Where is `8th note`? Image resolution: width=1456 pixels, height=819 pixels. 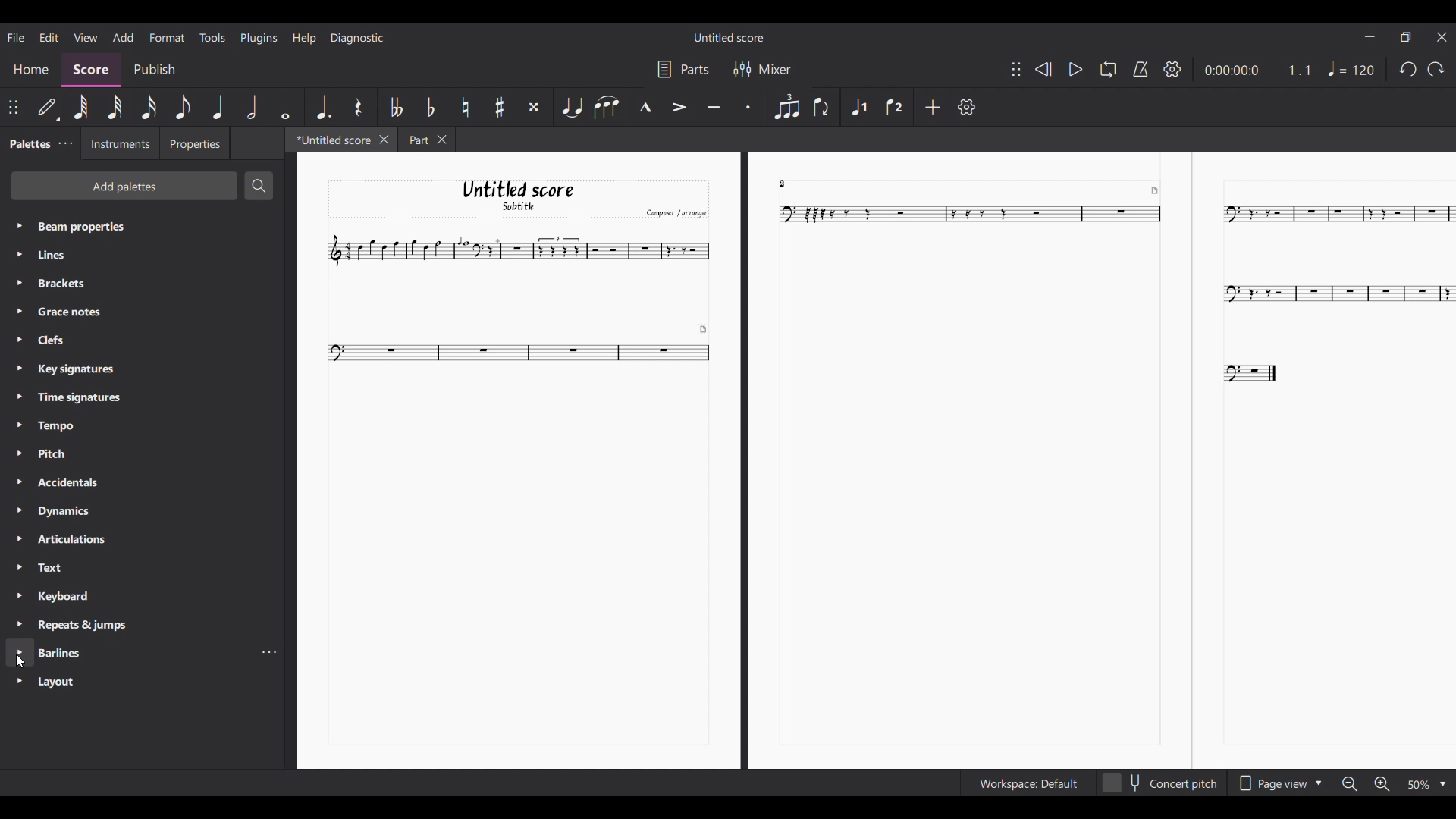 8th note is located at coordinates (182, 107).